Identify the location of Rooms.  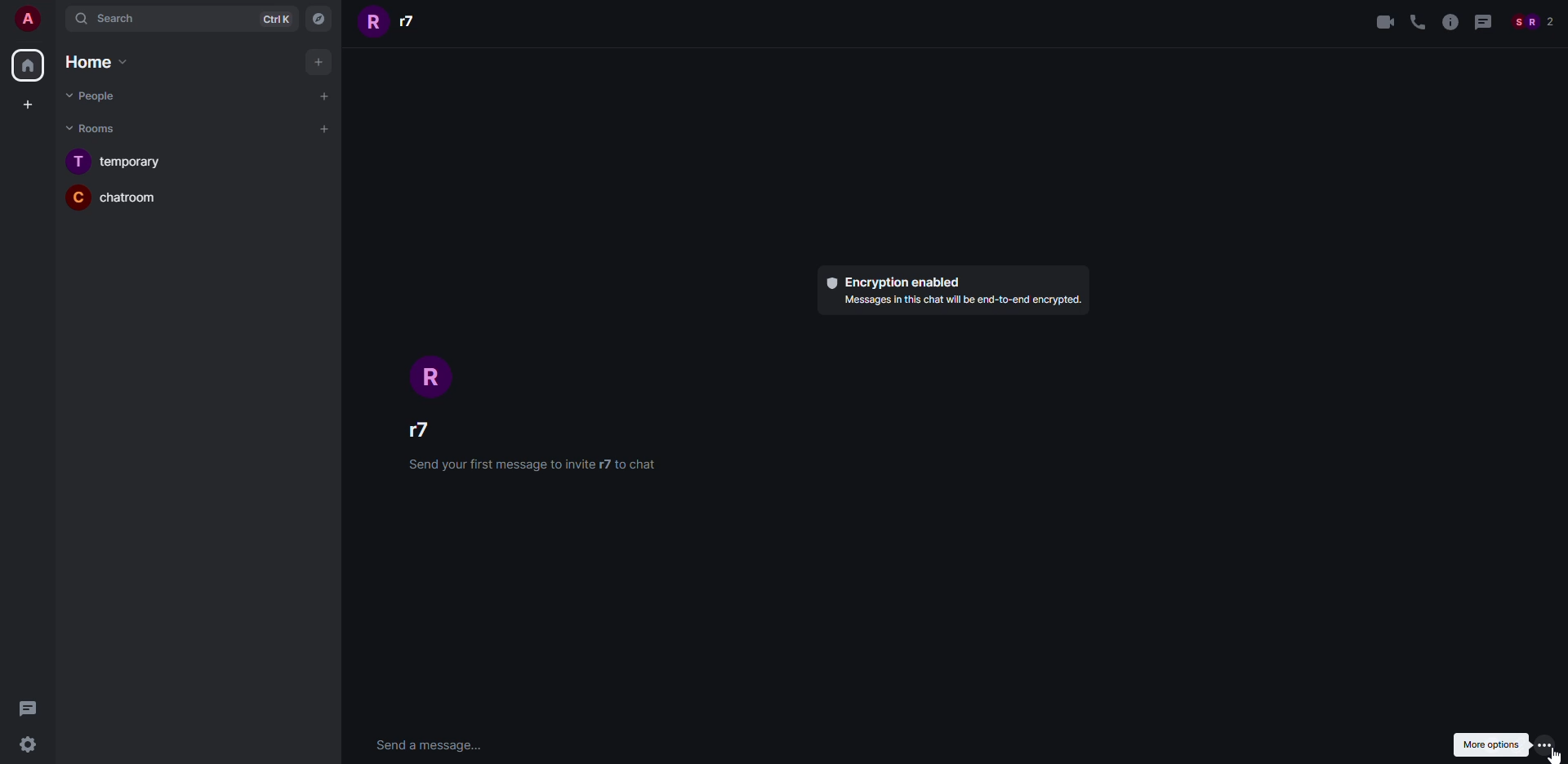
(95, 129).